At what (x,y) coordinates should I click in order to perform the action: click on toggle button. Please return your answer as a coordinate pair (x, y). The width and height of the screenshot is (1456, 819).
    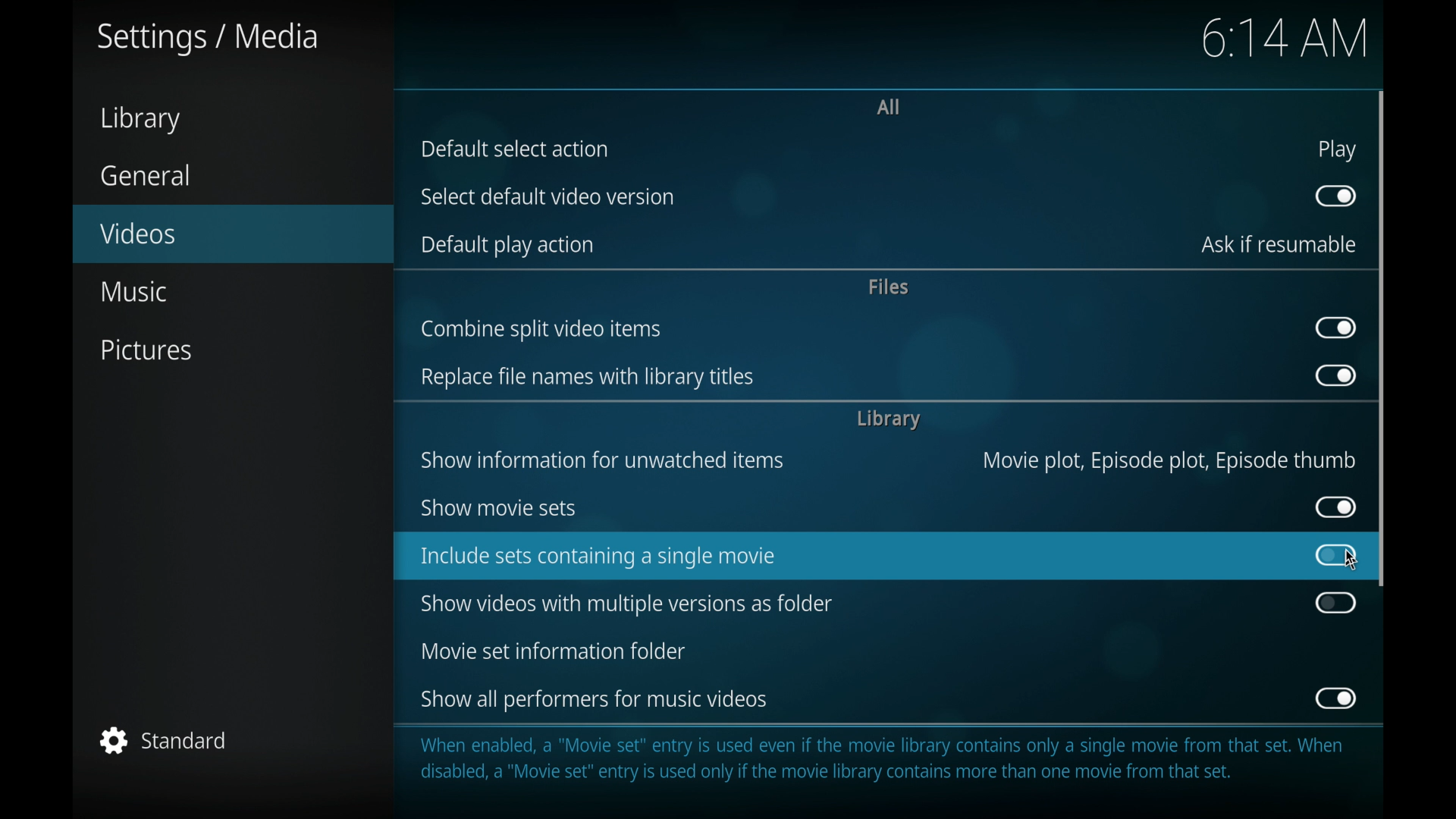
    Looking at the image, I should click on (1335, 328).